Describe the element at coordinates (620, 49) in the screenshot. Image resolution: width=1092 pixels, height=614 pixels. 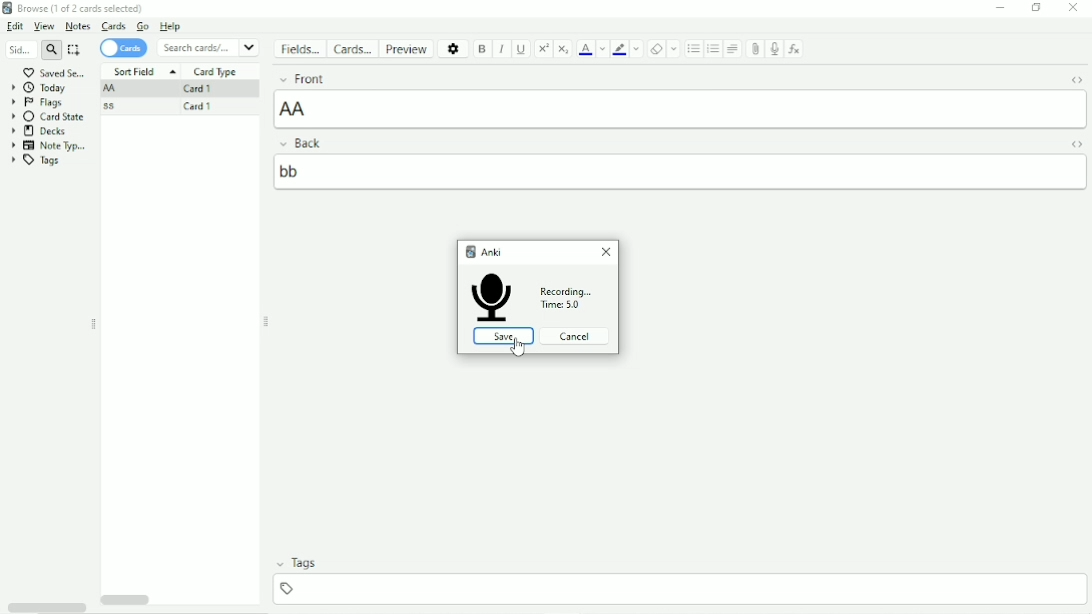
I see `Text Highlight color` at that location.